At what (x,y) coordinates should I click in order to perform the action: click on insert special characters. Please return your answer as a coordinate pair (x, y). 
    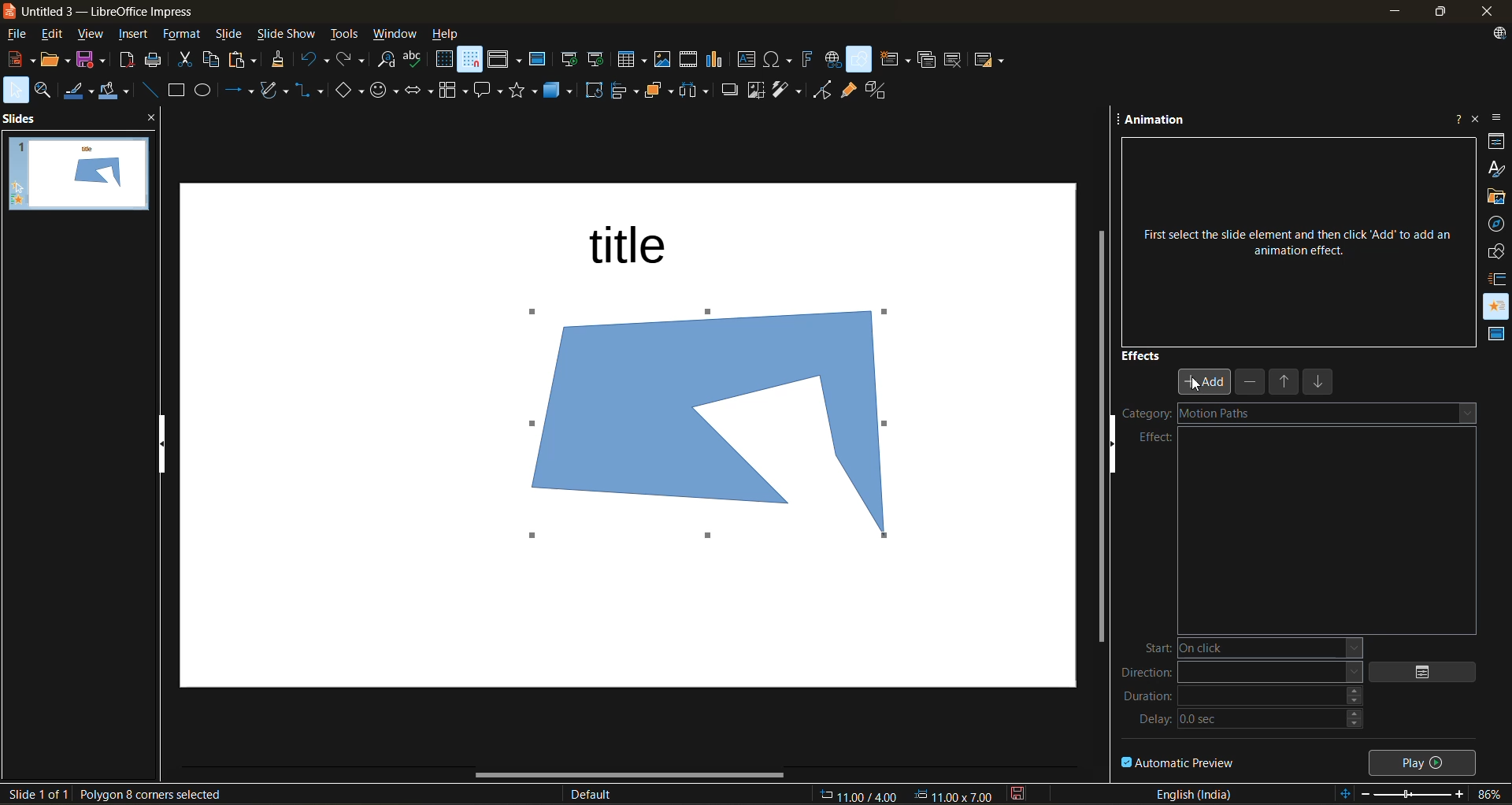
    Looking at the image, I should click on (779, 61).